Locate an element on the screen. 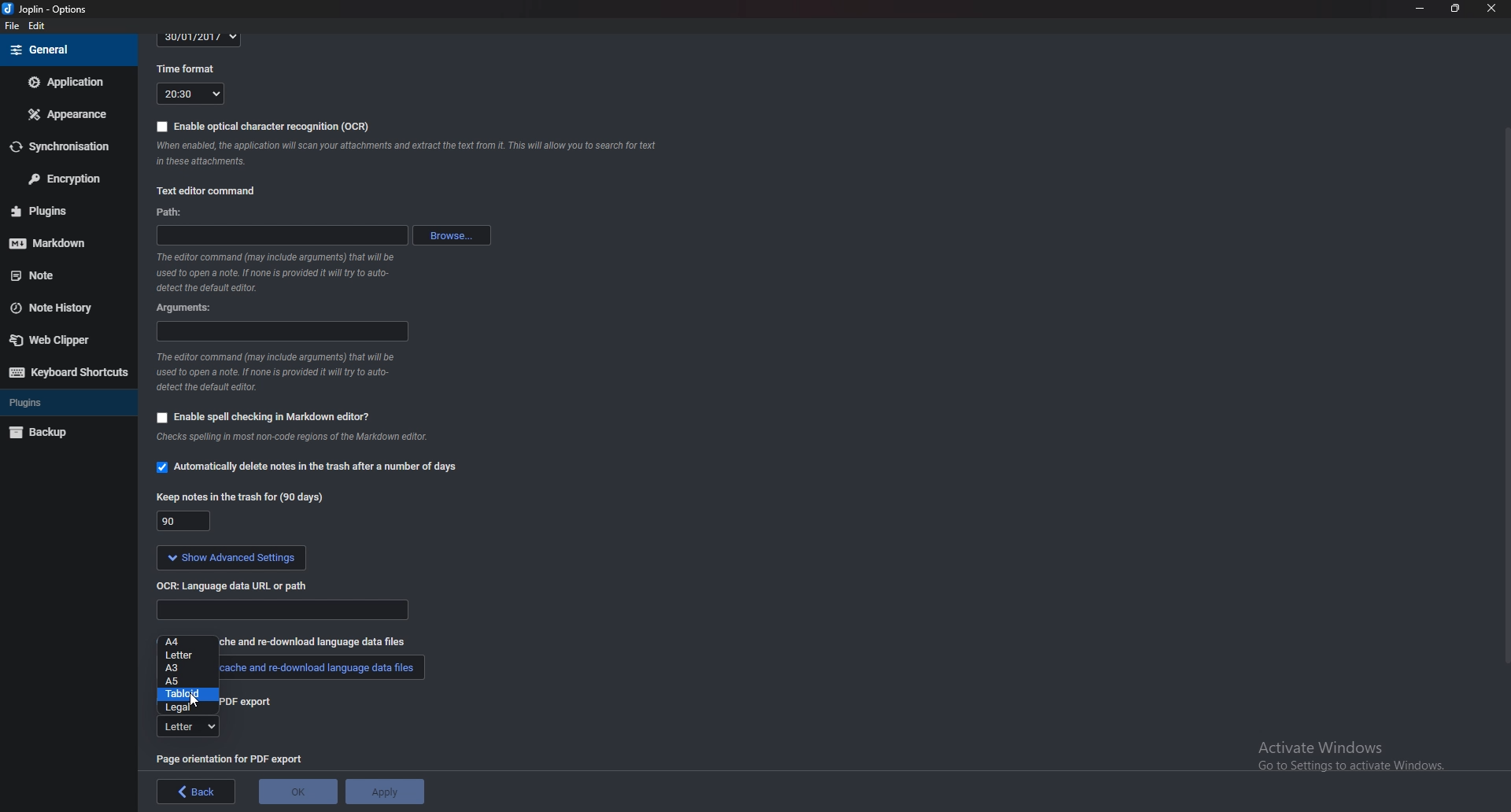  90 days is located at coordinates (185, 522).